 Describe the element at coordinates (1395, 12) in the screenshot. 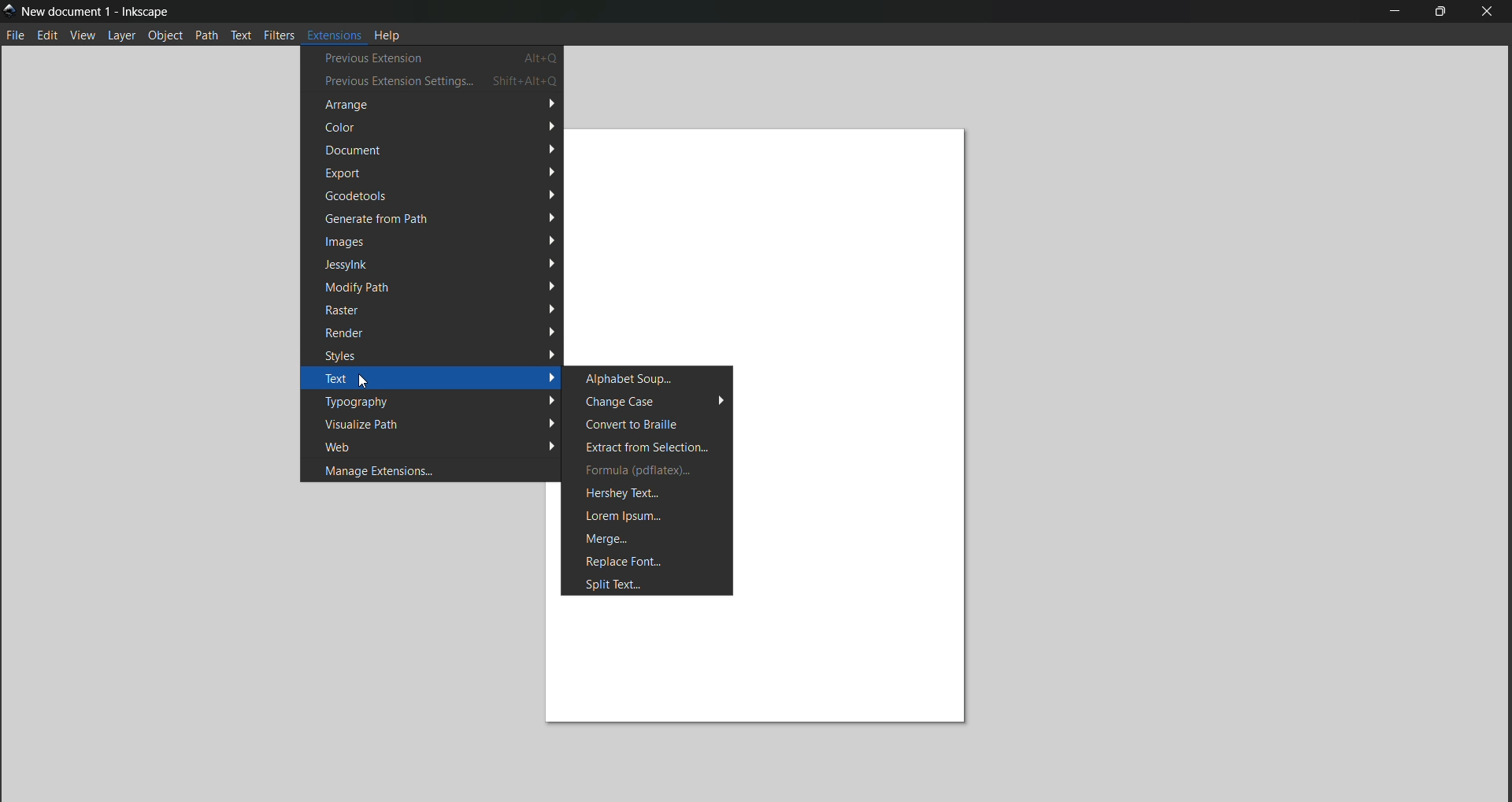

I see `minimize` at that location.